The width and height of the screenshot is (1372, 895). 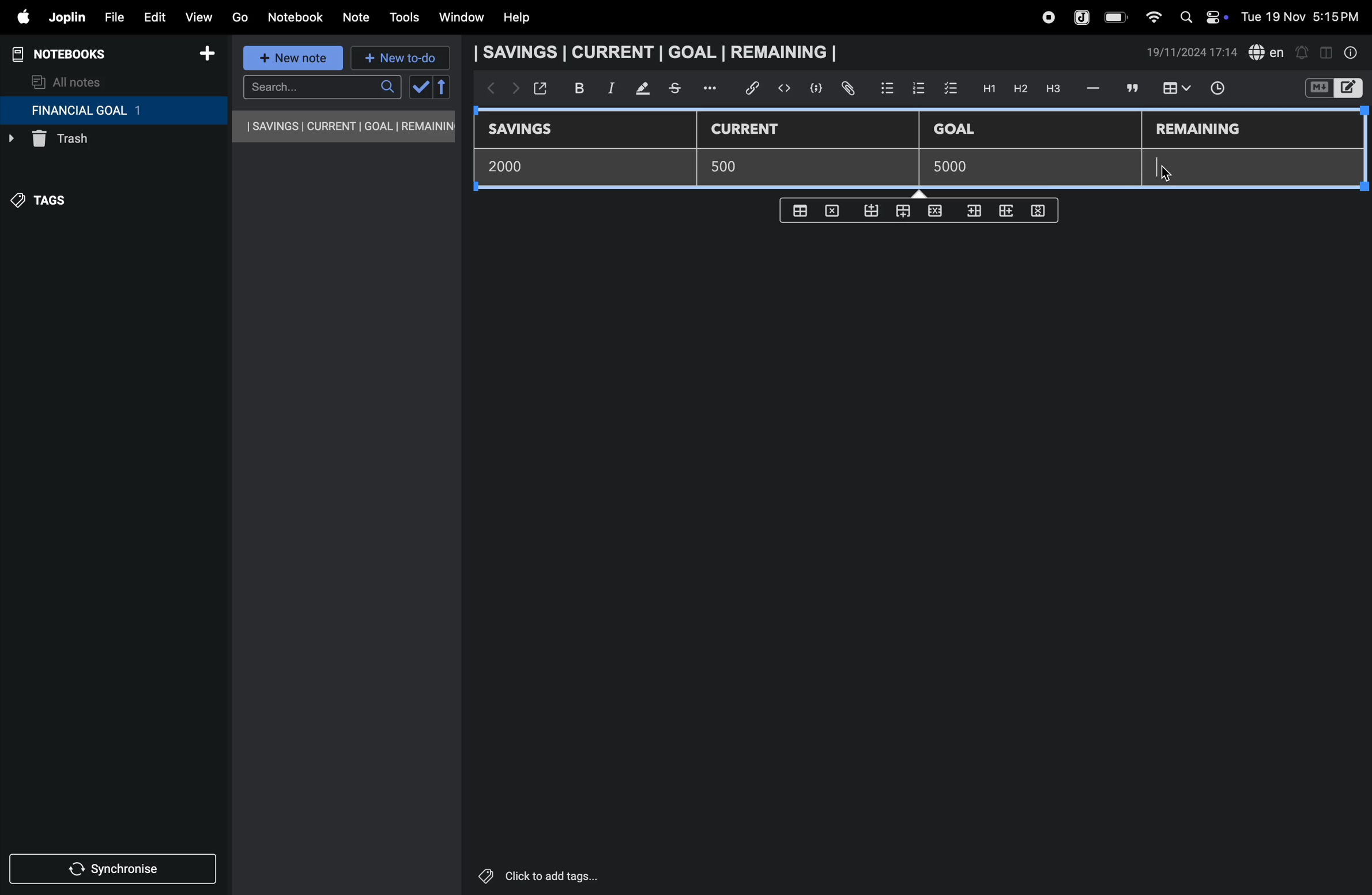 I want to click on tags, so click(x=47, y=206).